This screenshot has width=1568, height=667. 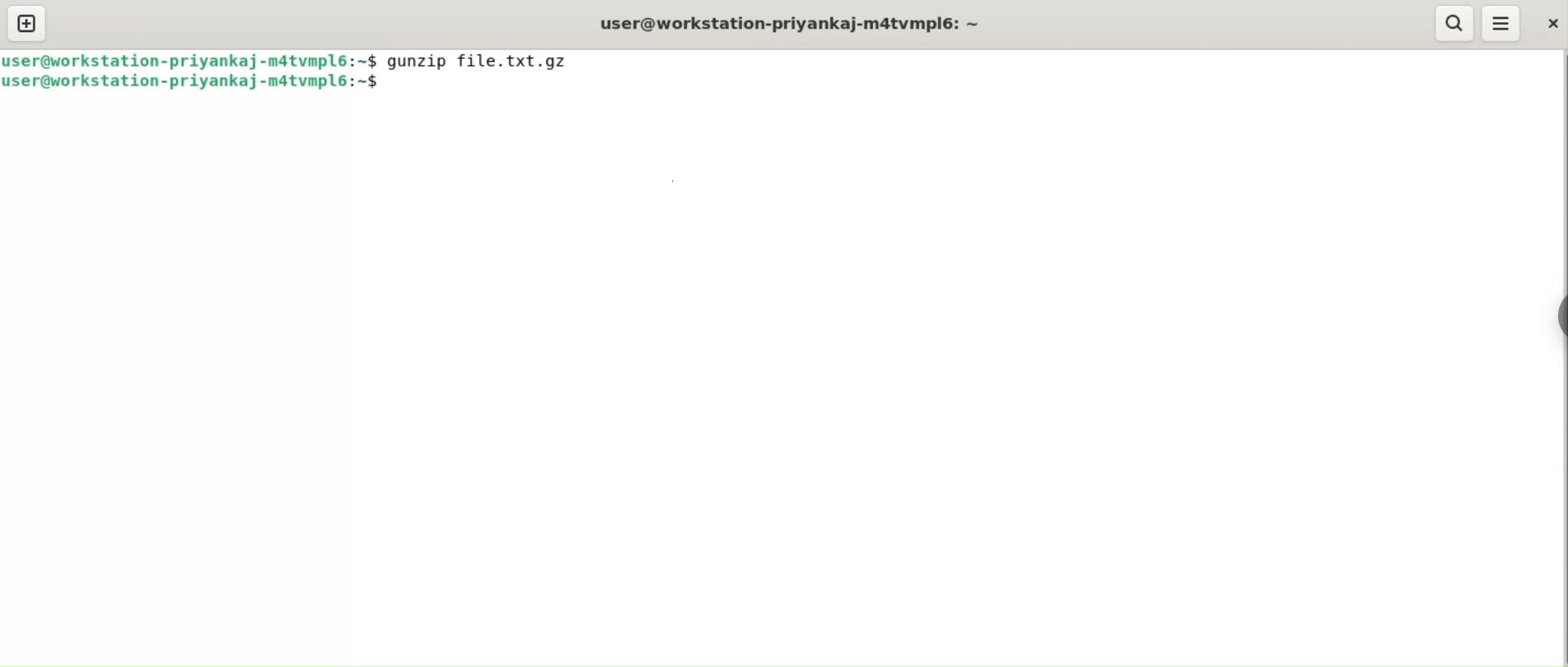 I want to click on close, so click(x=1548, y=25).